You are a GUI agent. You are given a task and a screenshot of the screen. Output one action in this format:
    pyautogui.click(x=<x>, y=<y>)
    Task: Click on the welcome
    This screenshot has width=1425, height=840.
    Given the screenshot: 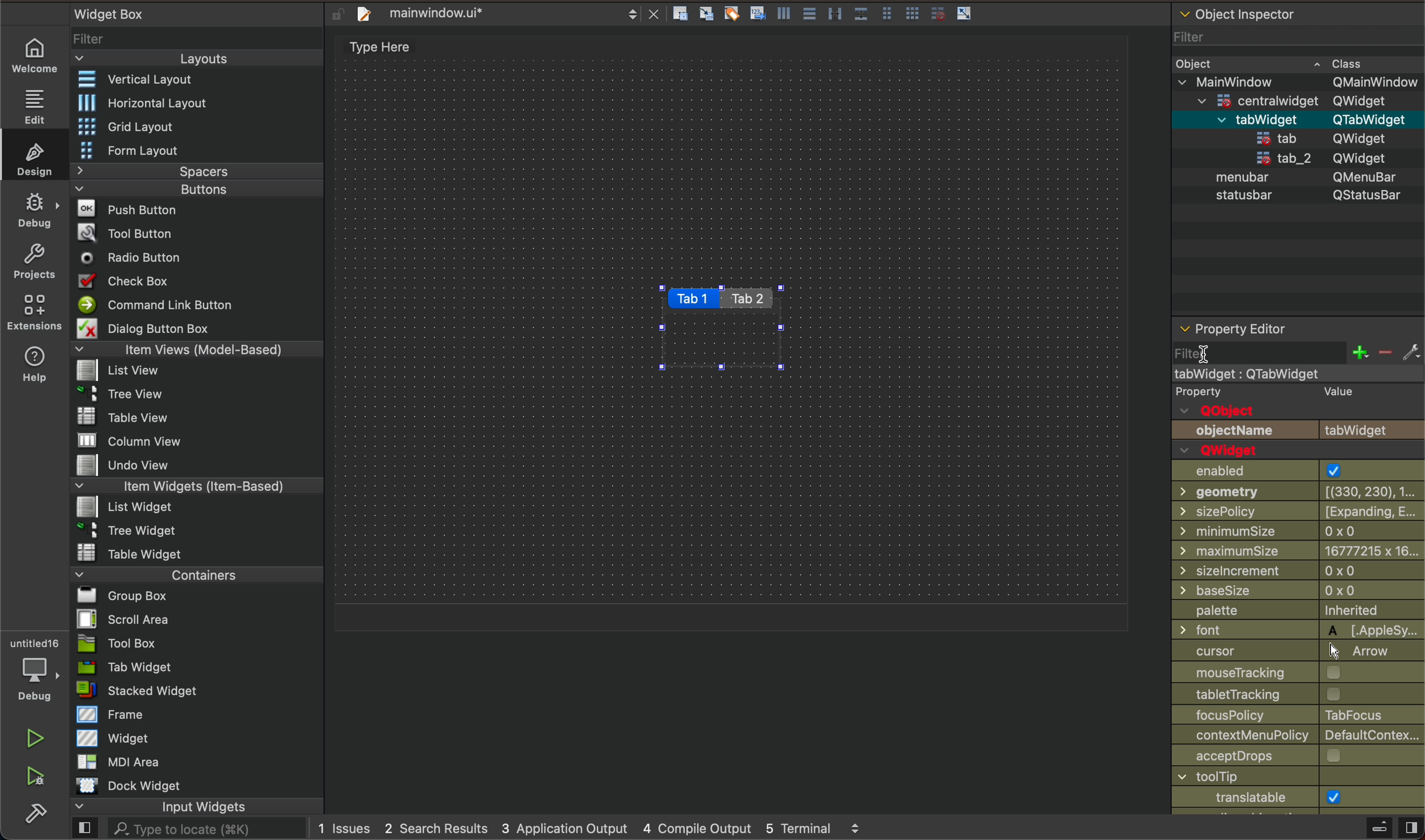 What is the action you would take?
    pyautogui.click(x=32, y=56)
    